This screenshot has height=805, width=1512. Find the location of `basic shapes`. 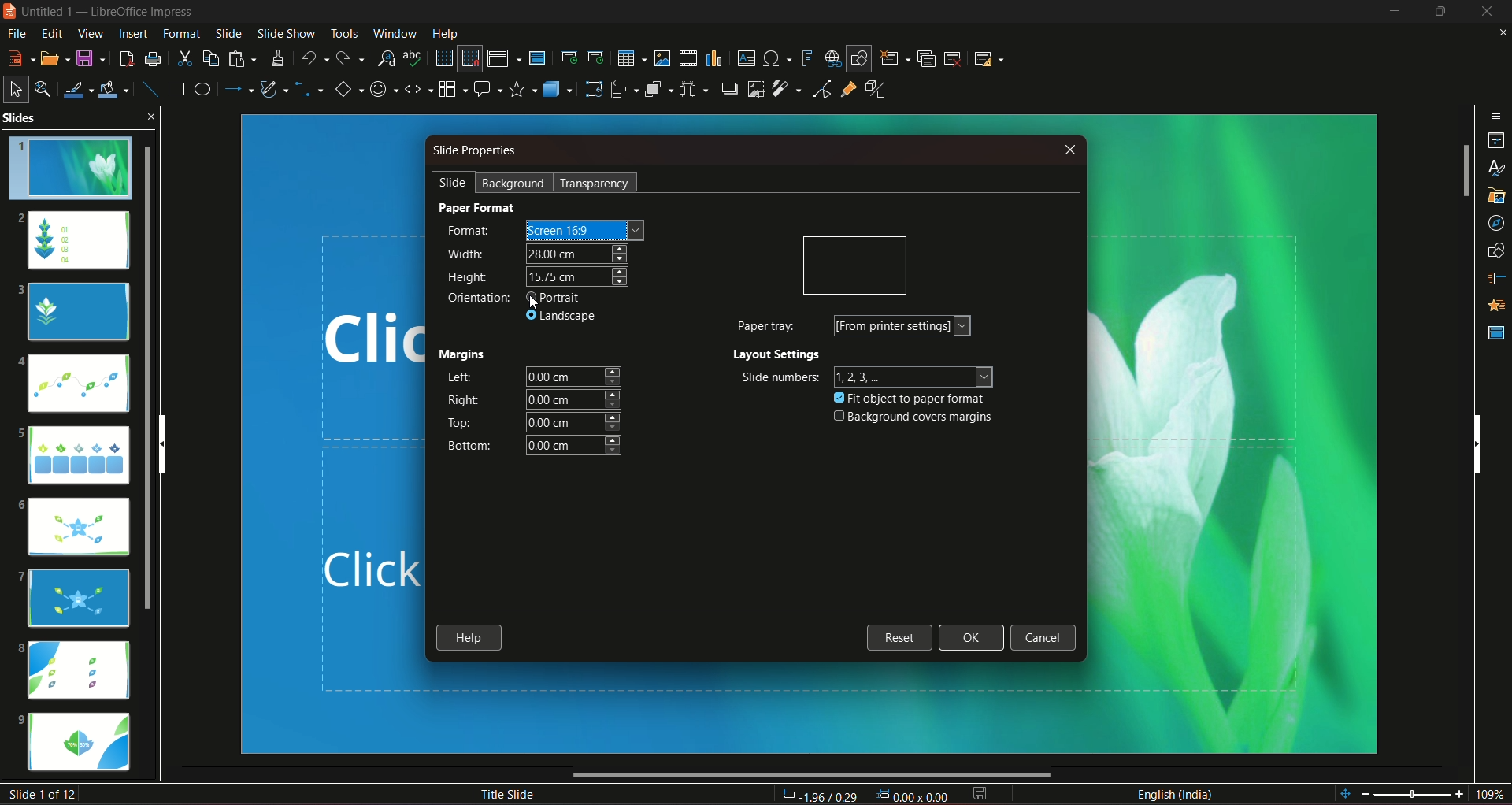

basic shapes is located at coordinates (347, 90).